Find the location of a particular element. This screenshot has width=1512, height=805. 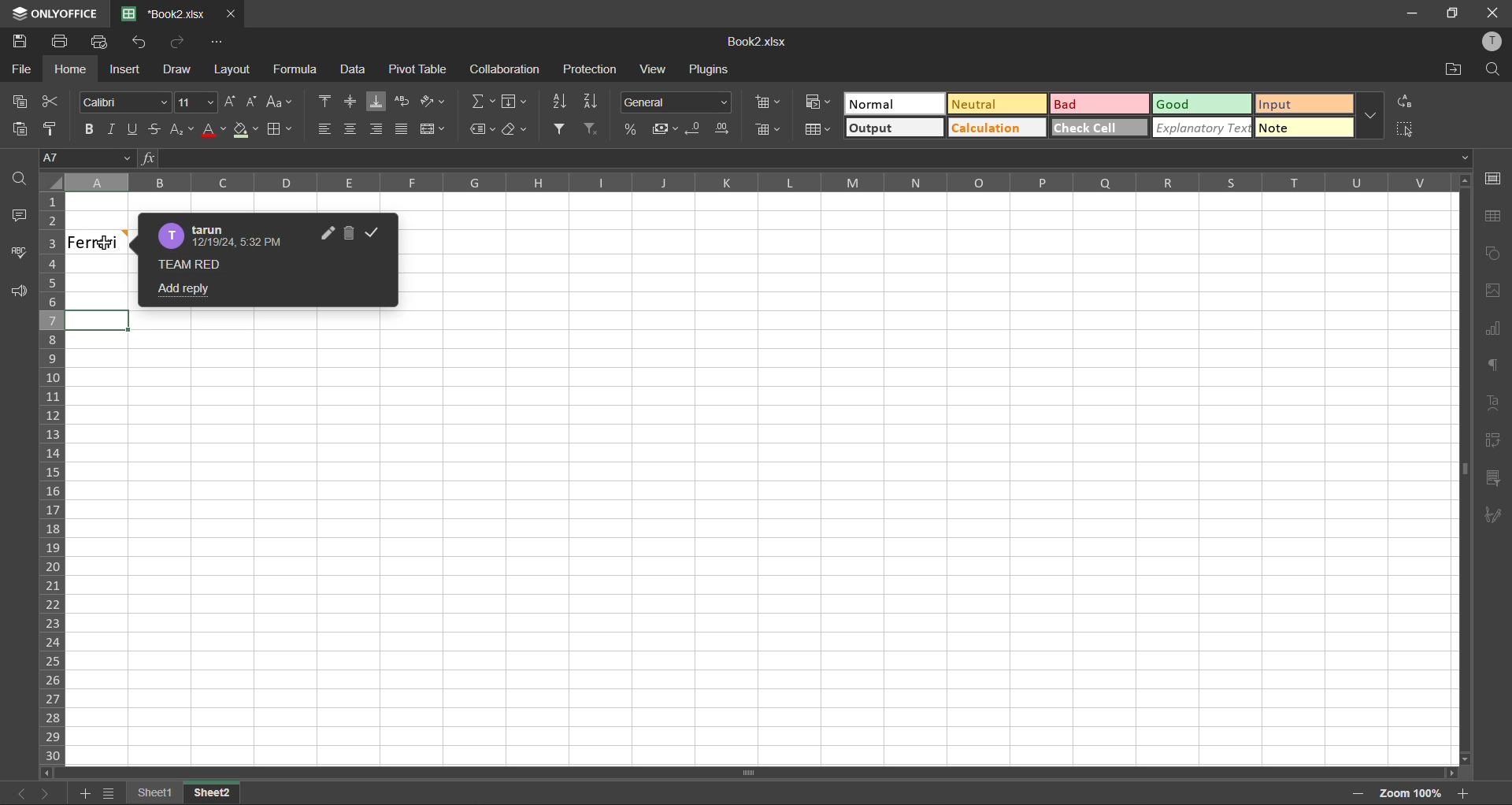

quick print is located at coordinates (104, 45).